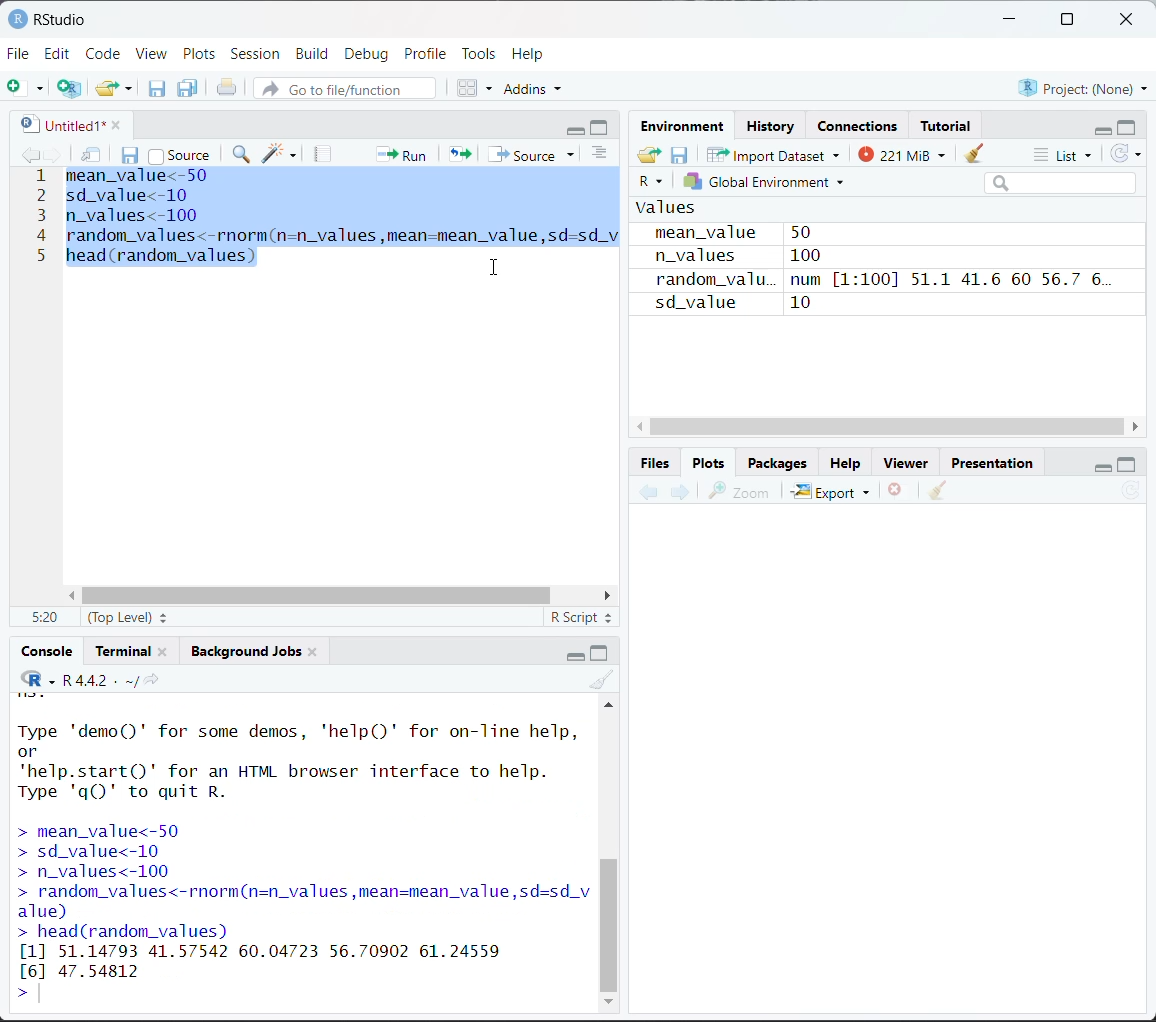 This screenshot has height=1022, width=1156. Describe the element at coordinates (910, 464) in the screenshot. I see `Viewer` at that location.